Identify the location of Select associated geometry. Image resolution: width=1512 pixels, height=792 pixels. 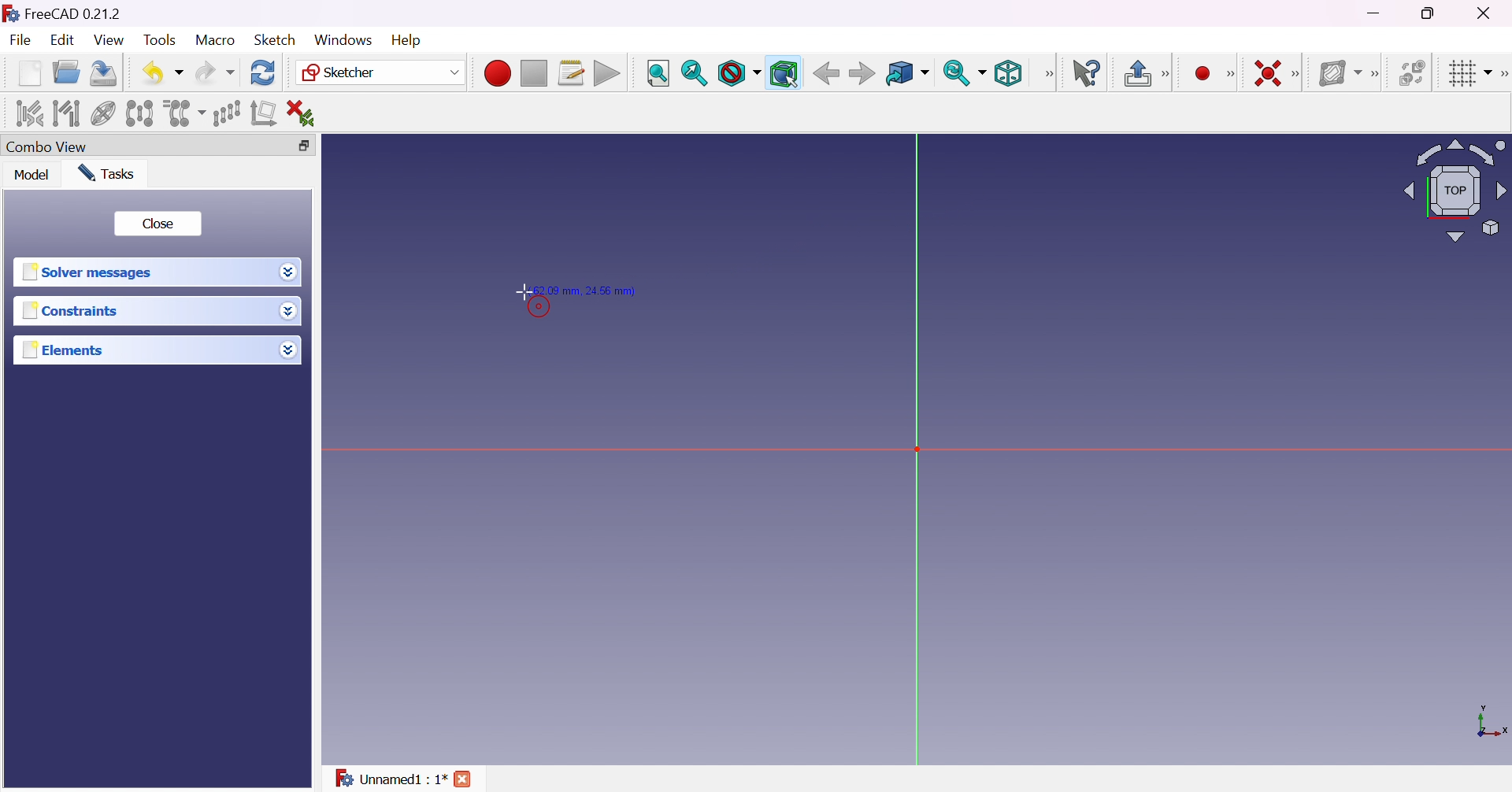
(67, 112).